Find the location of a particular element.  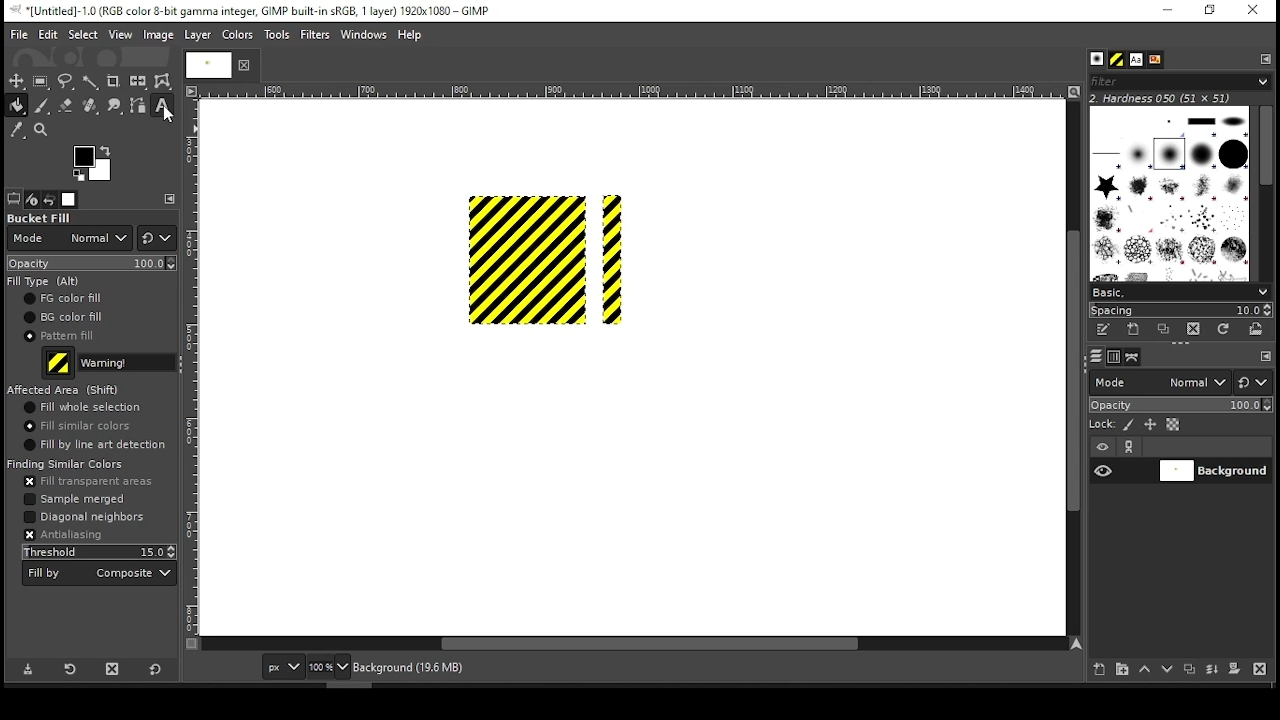

lock size and positioning is located at coordinates (1152, 425).